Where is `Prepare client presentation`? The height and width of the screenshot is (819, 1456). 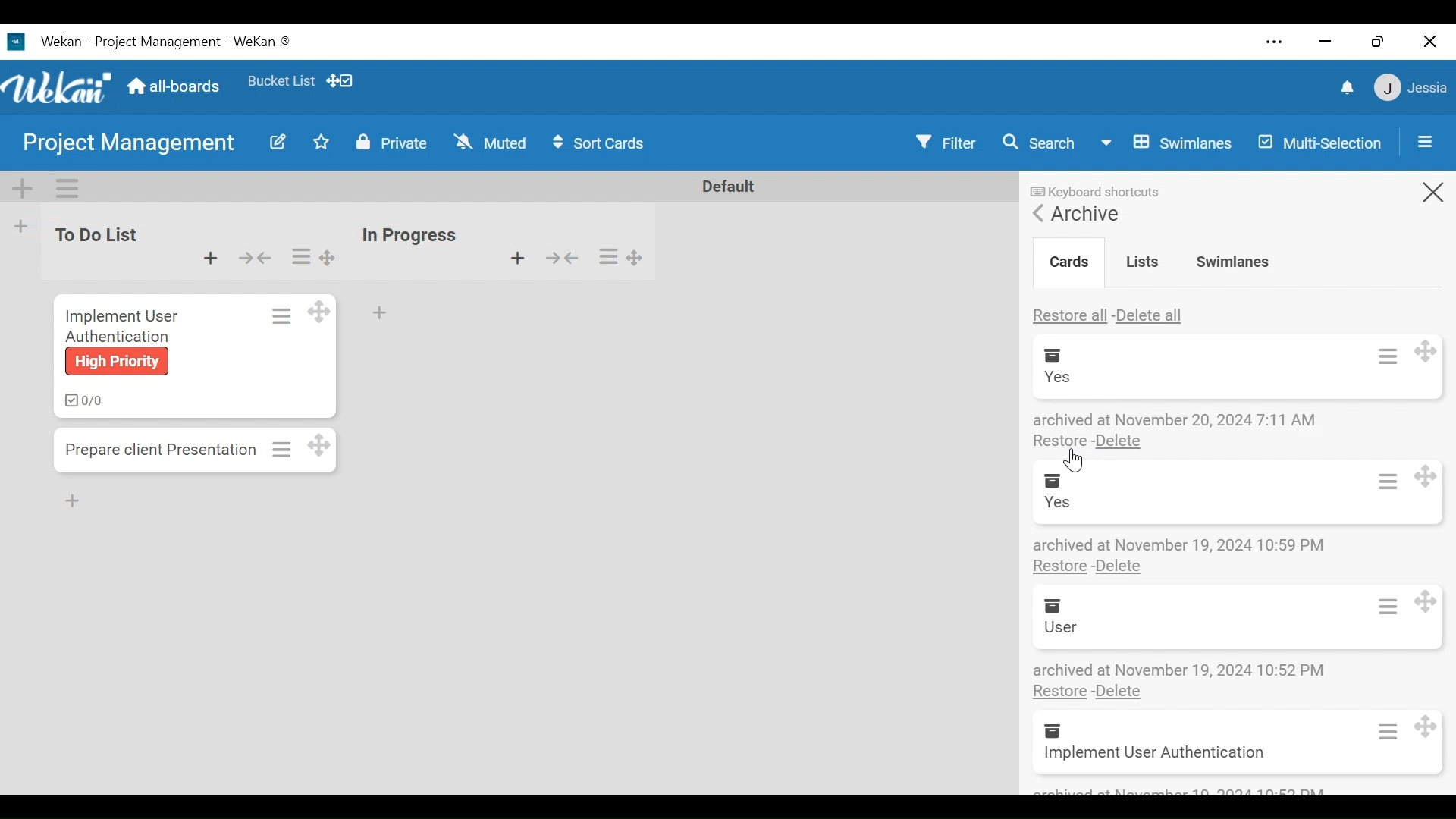 Prepare client presentation is located at coordinates (165, 448).